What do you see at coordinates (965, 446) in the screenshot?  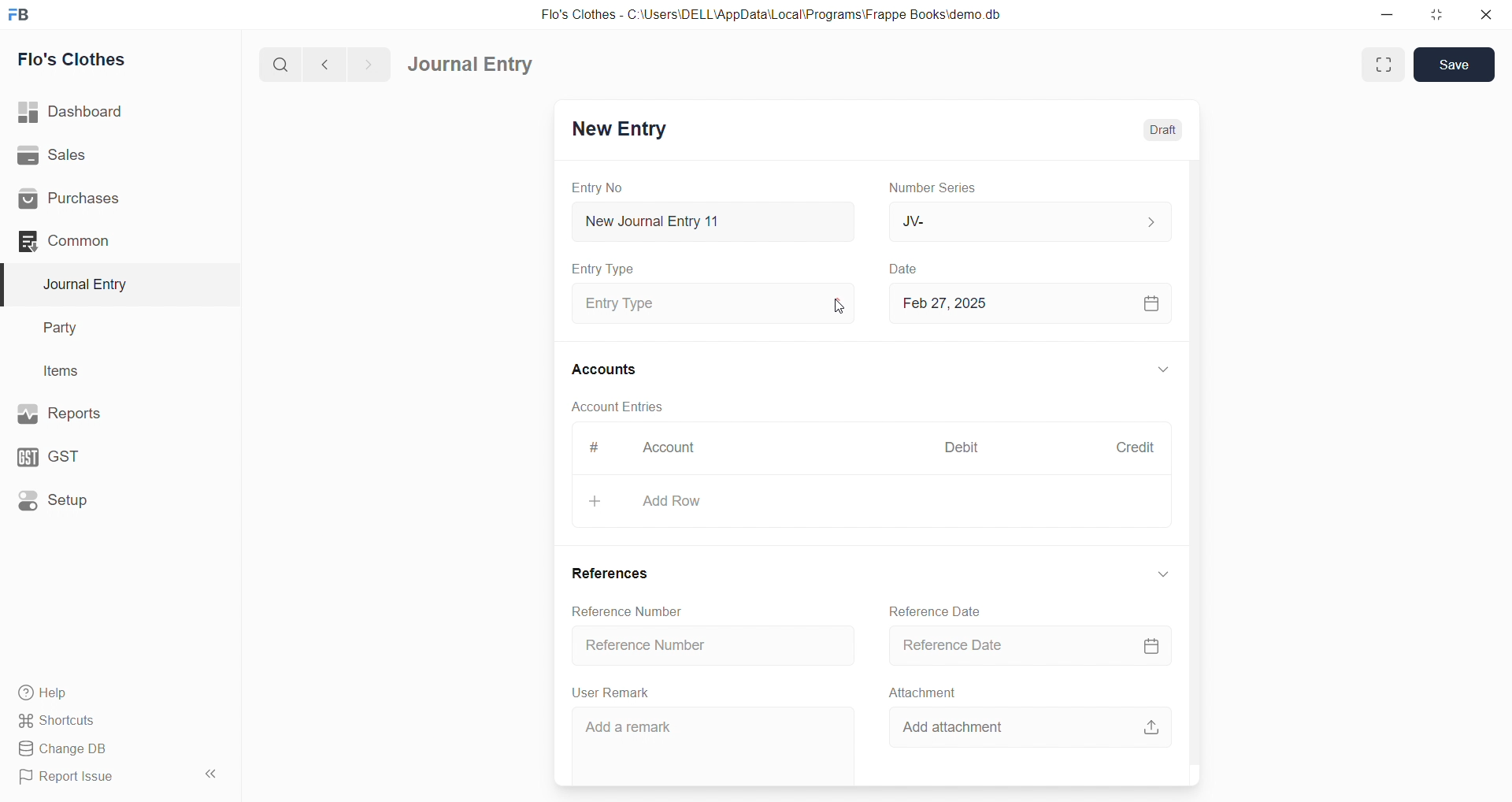 I see `Debit` at bounding box center [965, 446].